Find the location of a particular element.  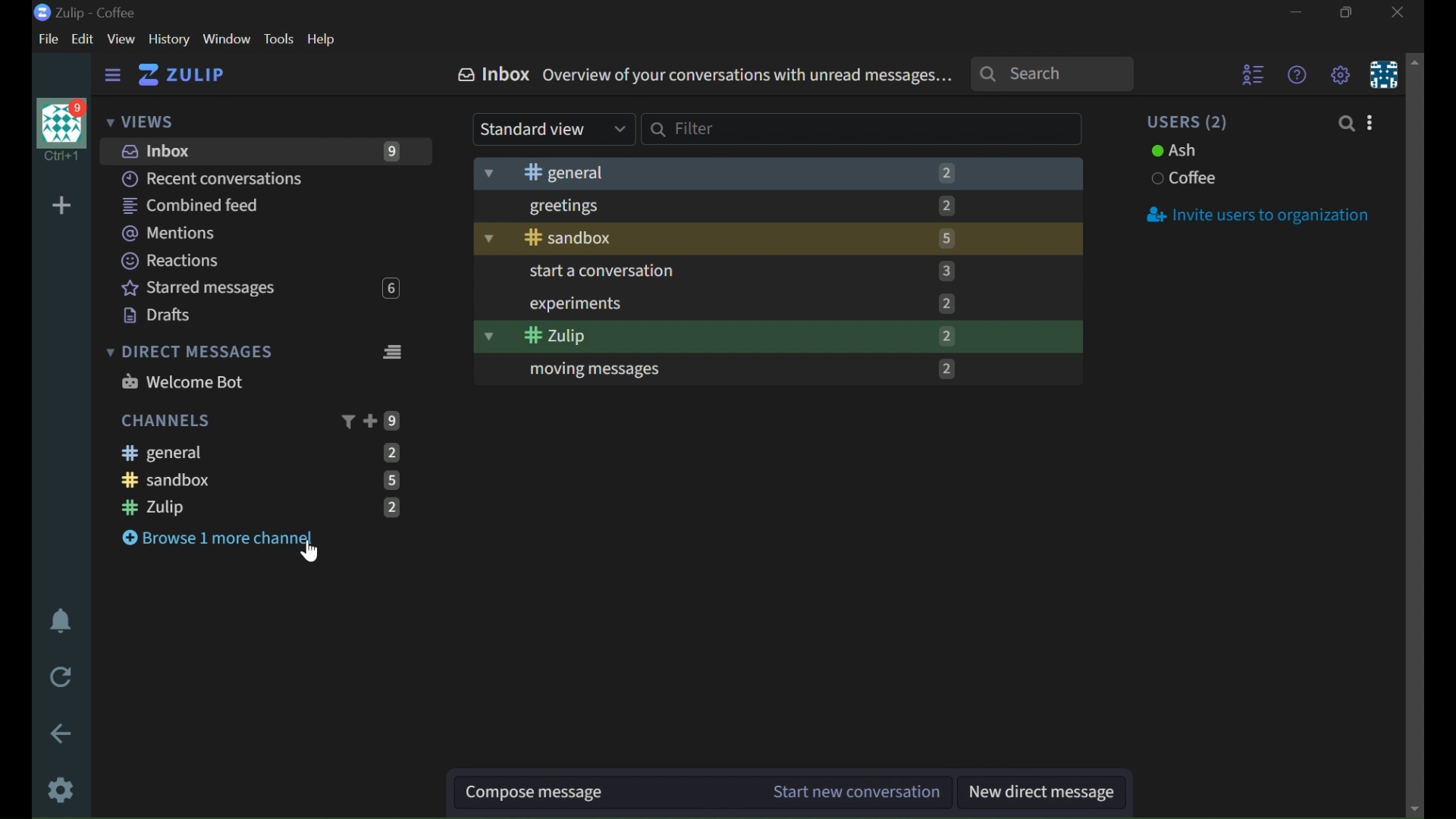

INVITE USERS is located at coordinates (1370, 122).